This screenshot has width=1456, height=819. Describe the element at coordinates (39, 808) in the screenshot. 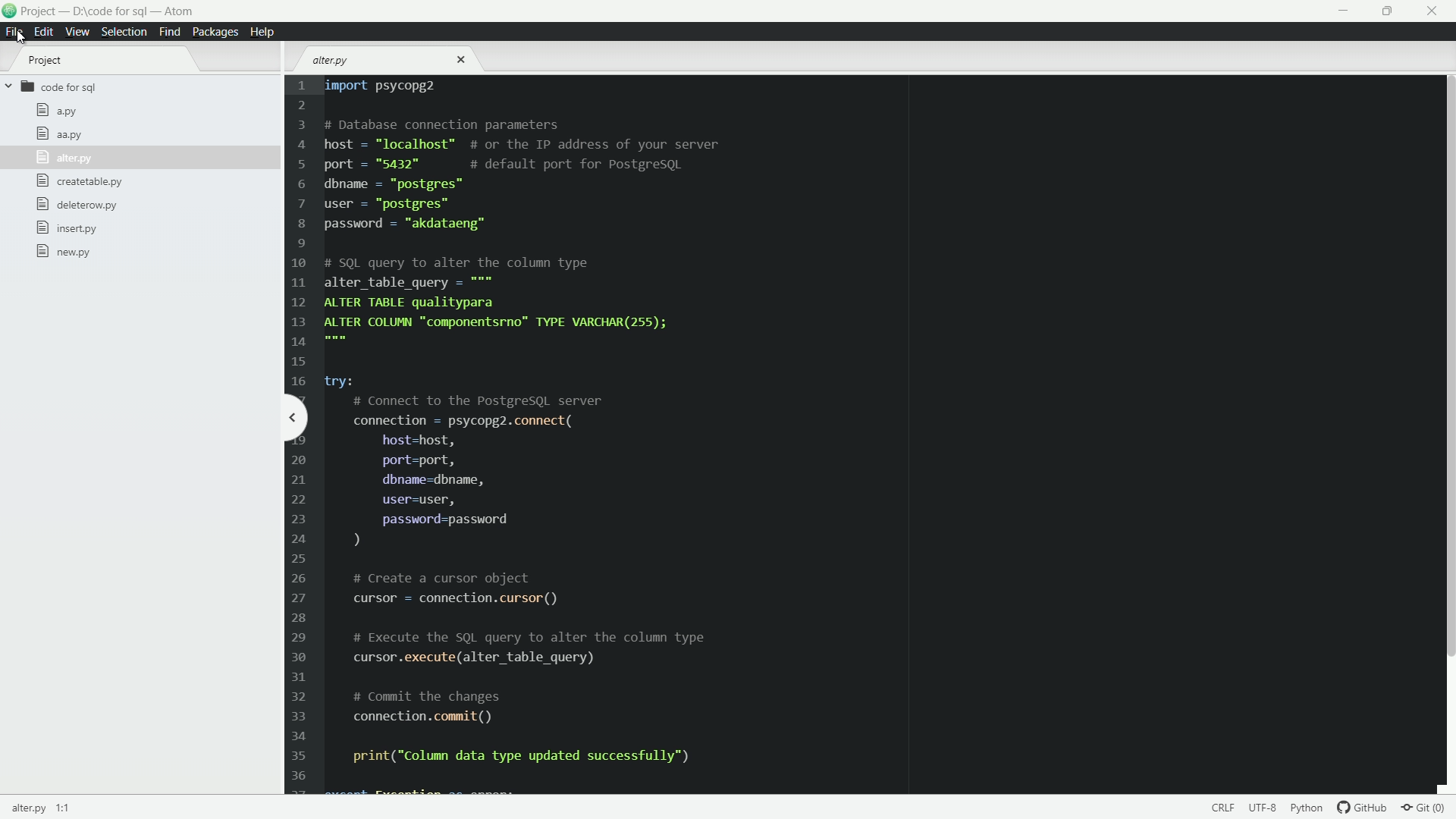

I see `current file name` at that location.